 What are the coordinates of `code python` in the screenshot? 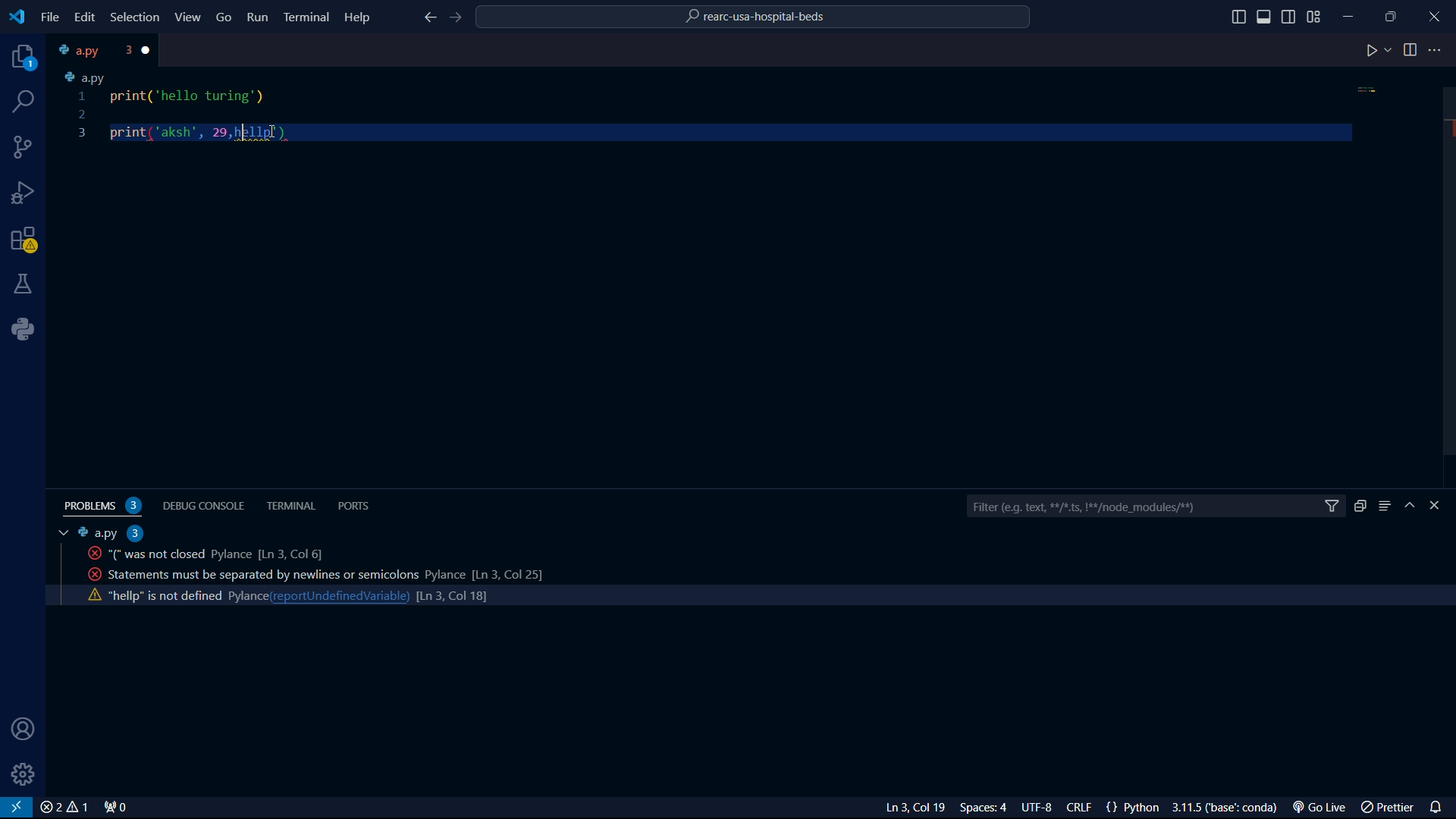 It's located at (717, 108).